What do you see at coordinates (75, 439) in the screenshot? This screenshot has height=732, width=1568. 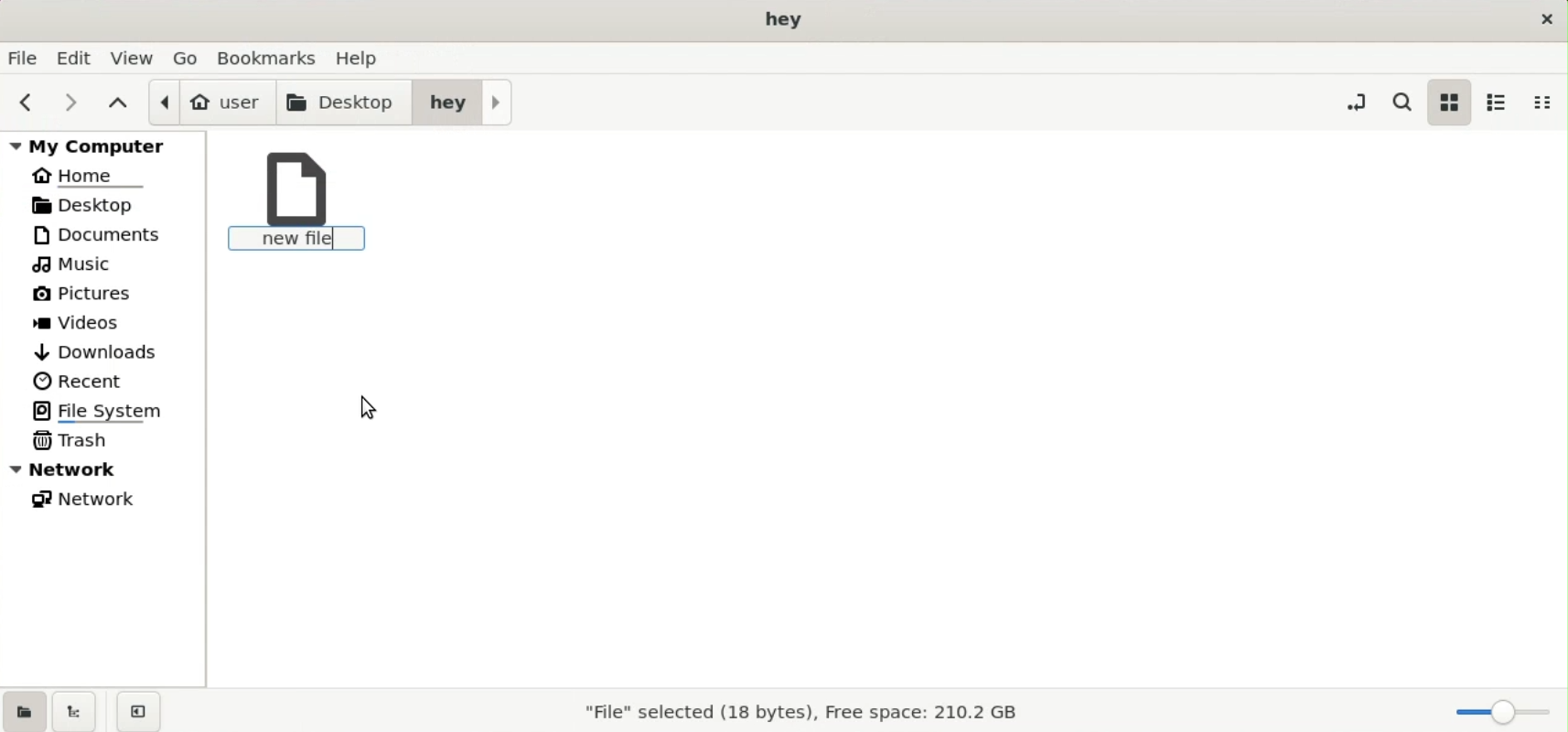 I see `trash` at bounding box center [75, 439].